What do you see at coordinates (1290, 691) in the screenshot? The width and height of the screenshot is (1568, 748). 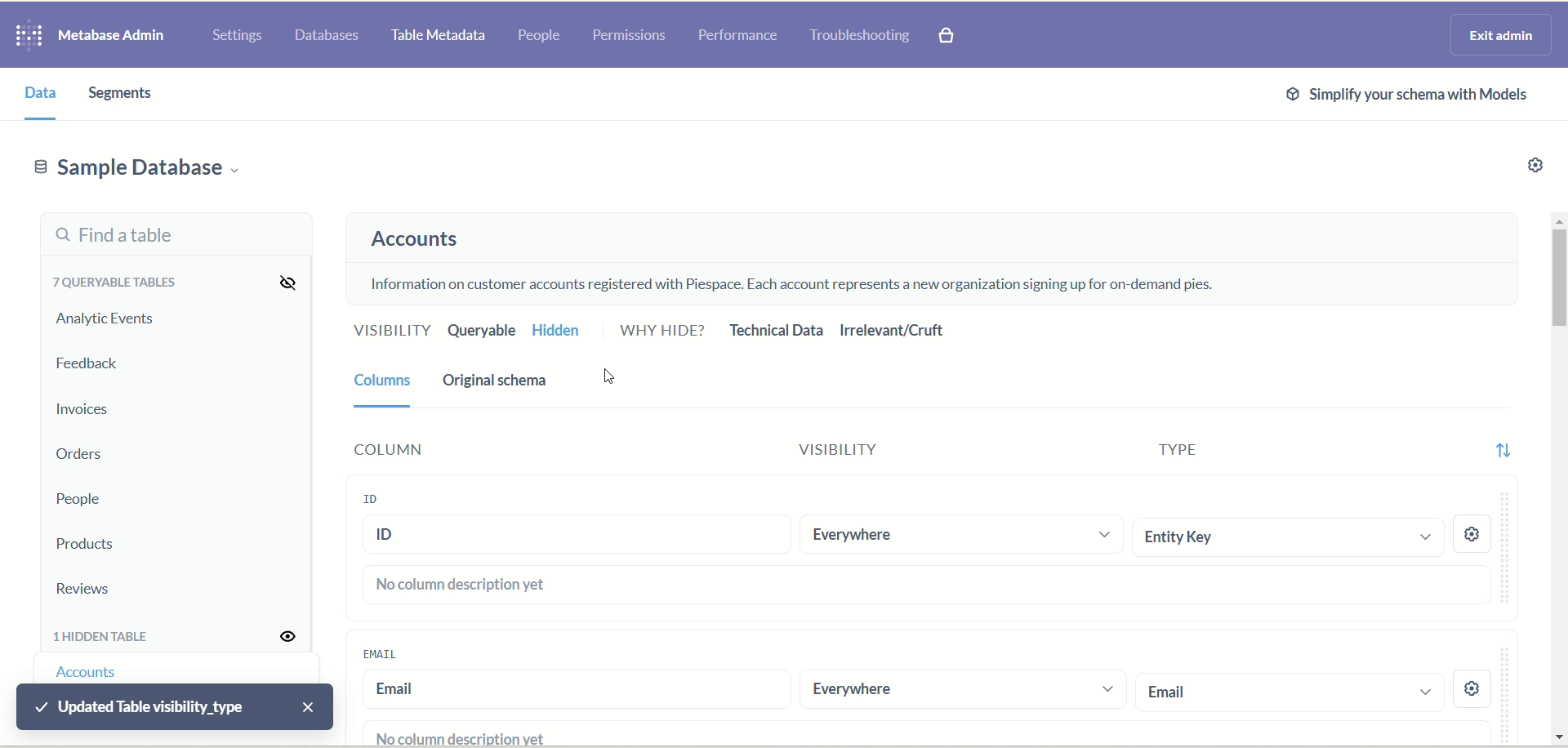 I see `email type` at bounding box center [1290, 691].